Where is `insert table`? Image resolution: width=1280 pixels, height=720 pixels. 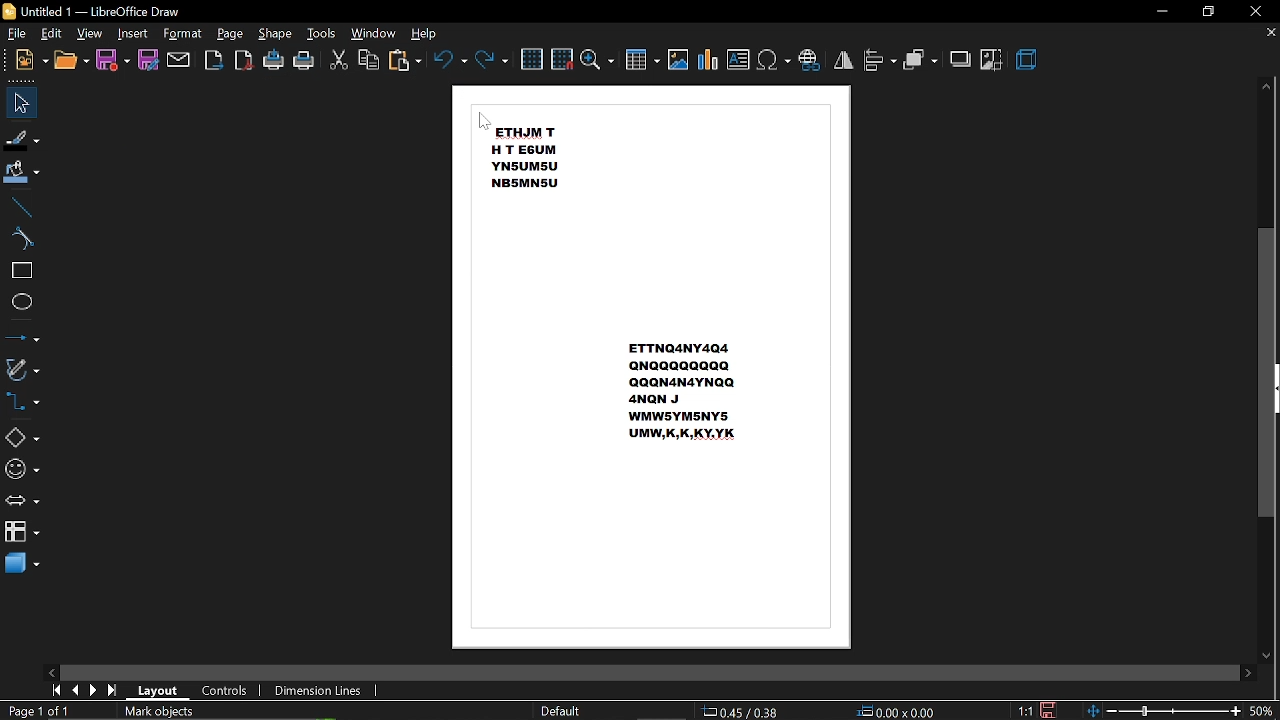
insert table is located at coordinates (643, 62).